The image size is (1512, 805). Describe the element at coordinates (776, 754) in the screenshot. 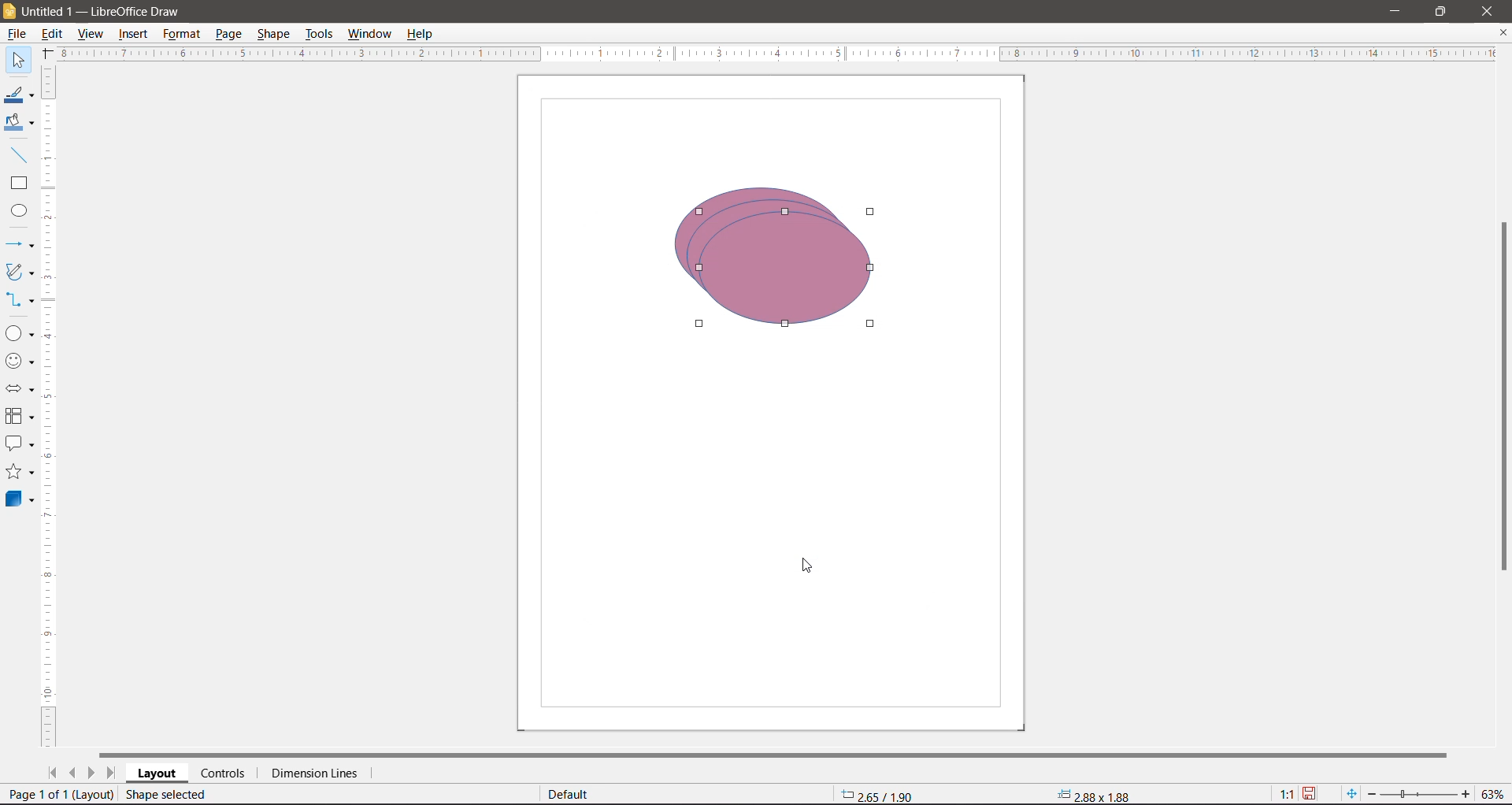

I see `Horizontal Scroll Bar` at that location.